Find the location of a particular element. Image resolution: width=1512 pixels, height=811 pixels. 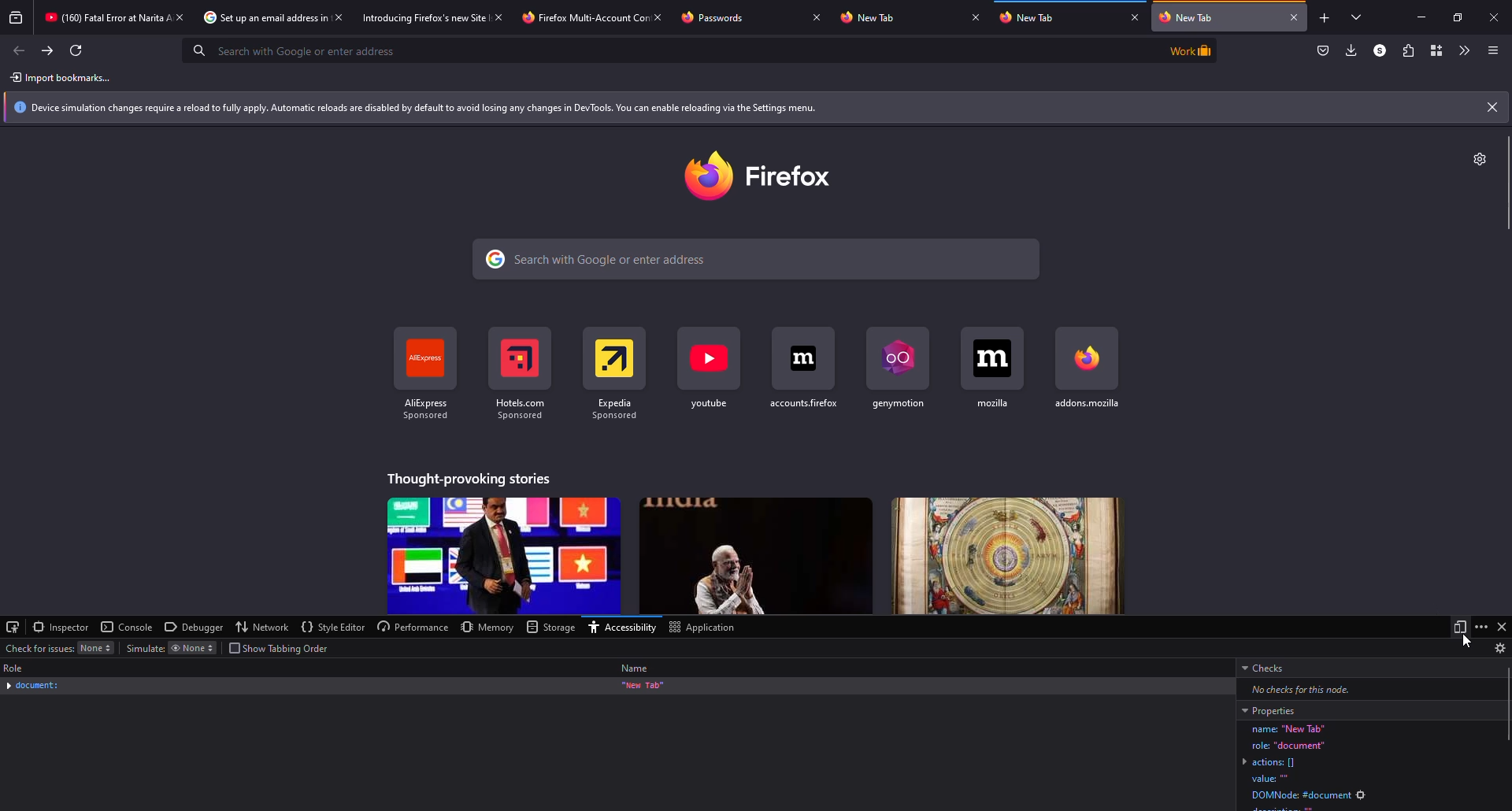

container is located at coordinates (1436, 50).